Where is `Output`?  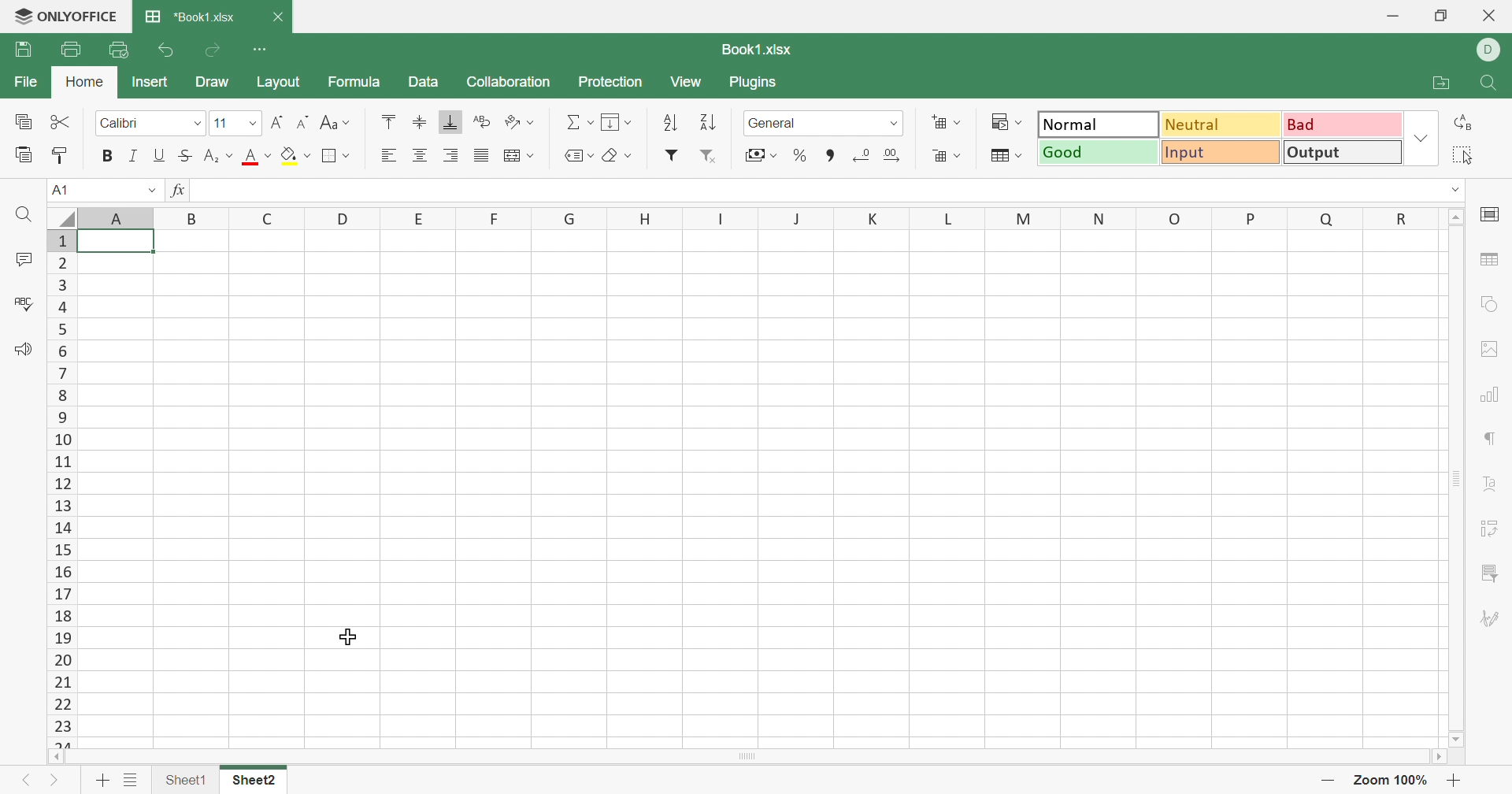
Output is located at coordinates (1340, 151).